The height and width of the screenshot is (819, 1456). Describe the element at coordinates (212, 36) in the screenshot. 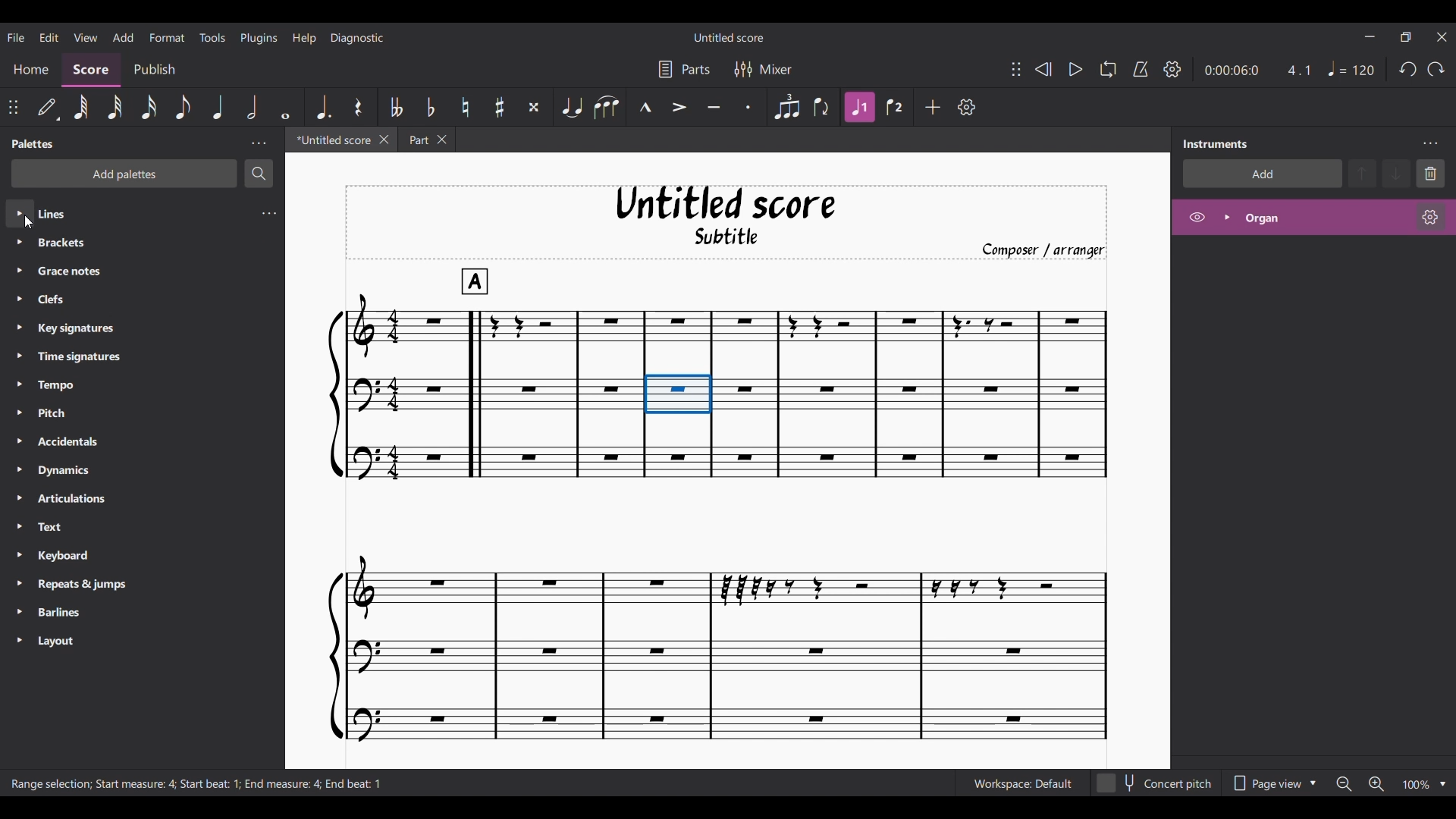

I see `Tools menu` at that location.